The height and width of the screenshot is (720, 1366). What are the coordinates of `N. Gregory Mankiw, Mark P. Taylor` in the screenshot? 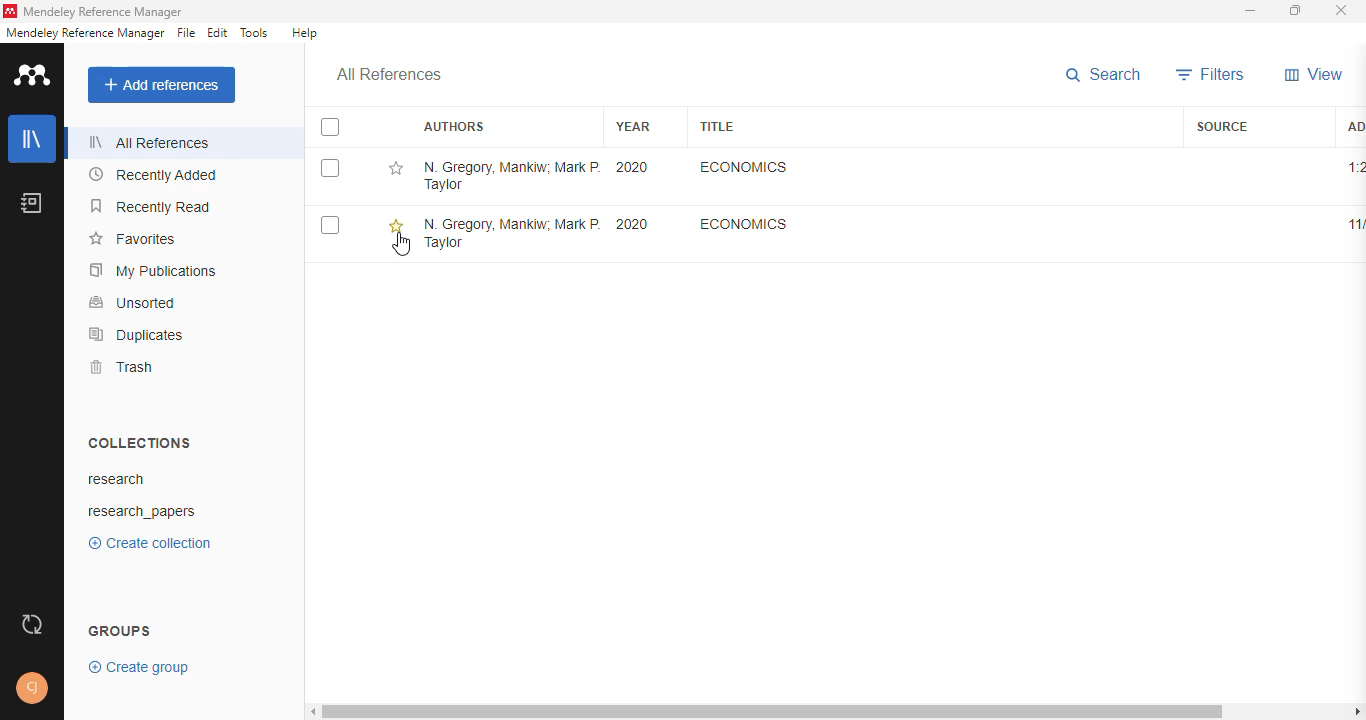 It's located at (511, 176).